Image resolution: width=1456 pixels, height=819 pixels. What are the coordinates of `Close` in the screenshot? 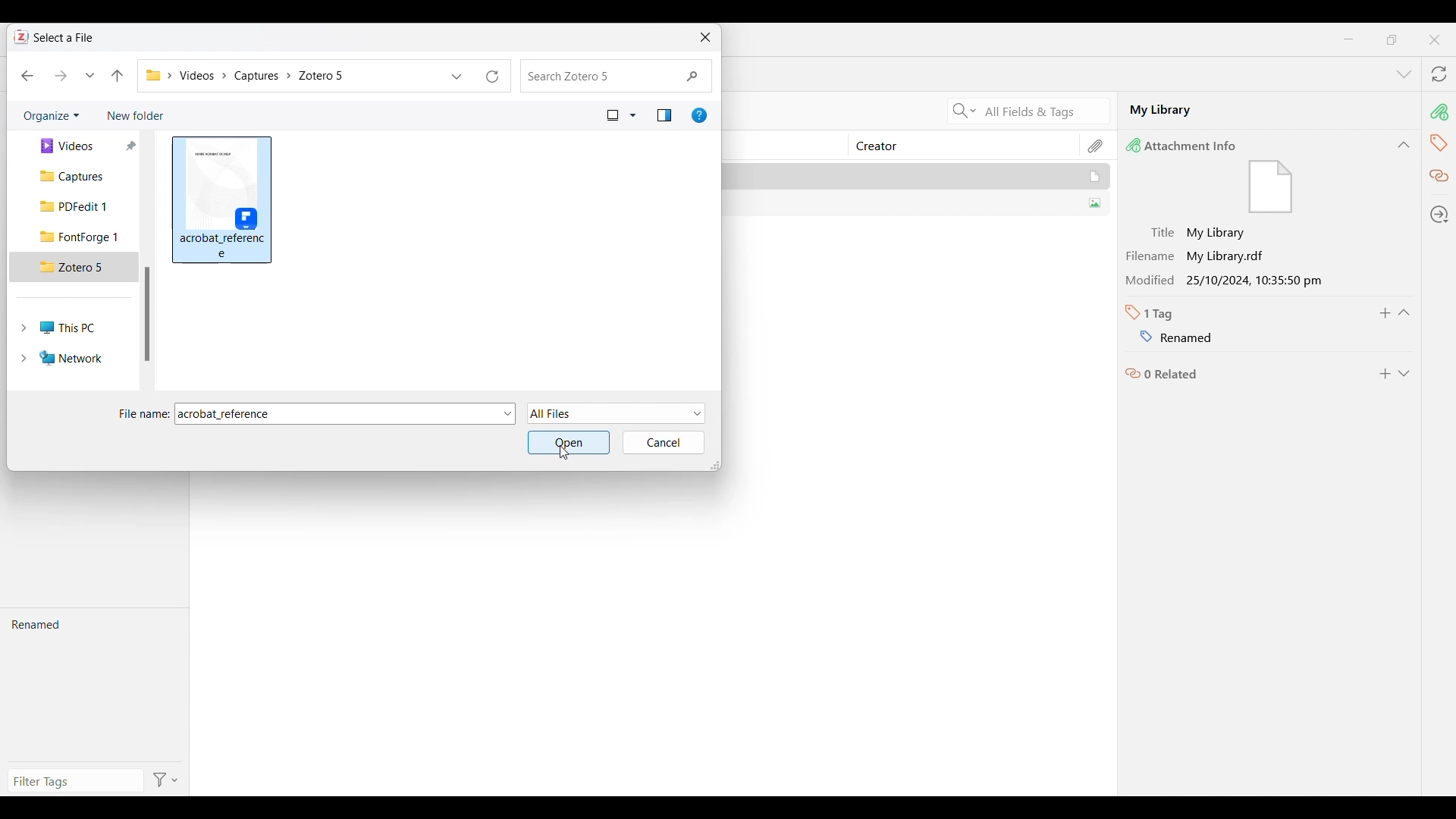 It's located at (703, 39).